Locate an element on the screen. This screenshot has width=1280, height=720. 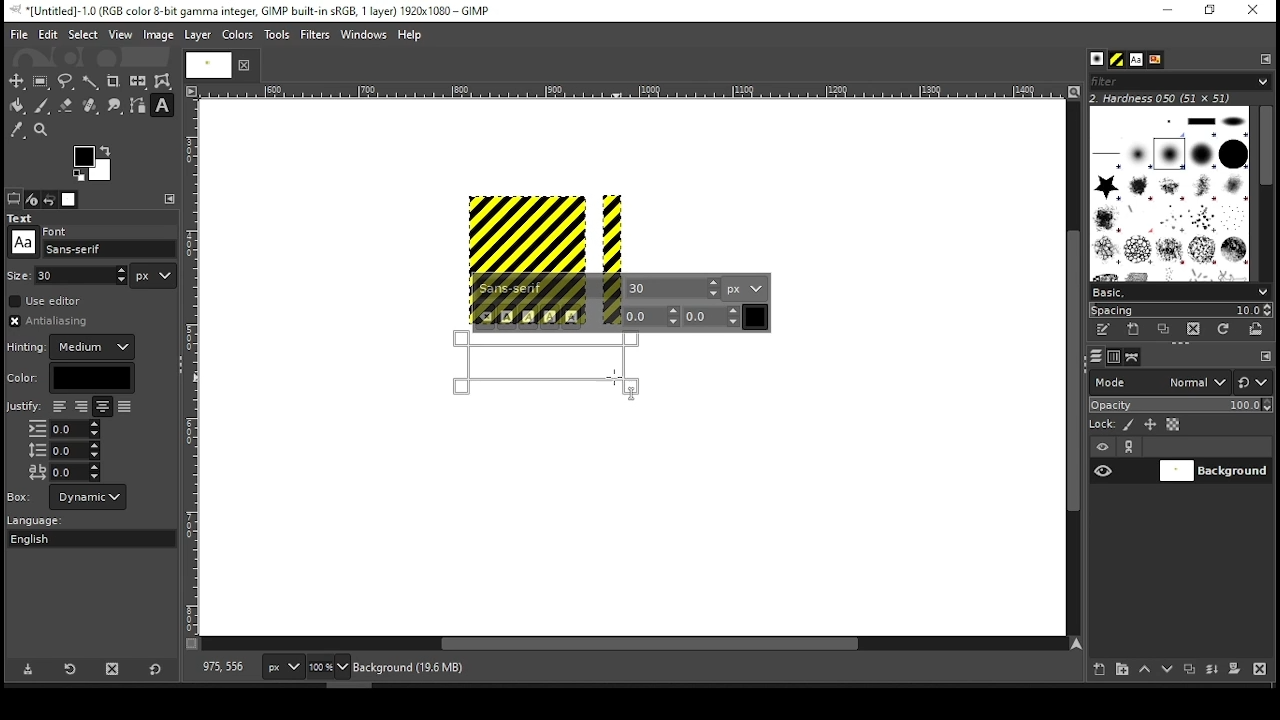
adjust character spacing is located at coordinates (63, 472).